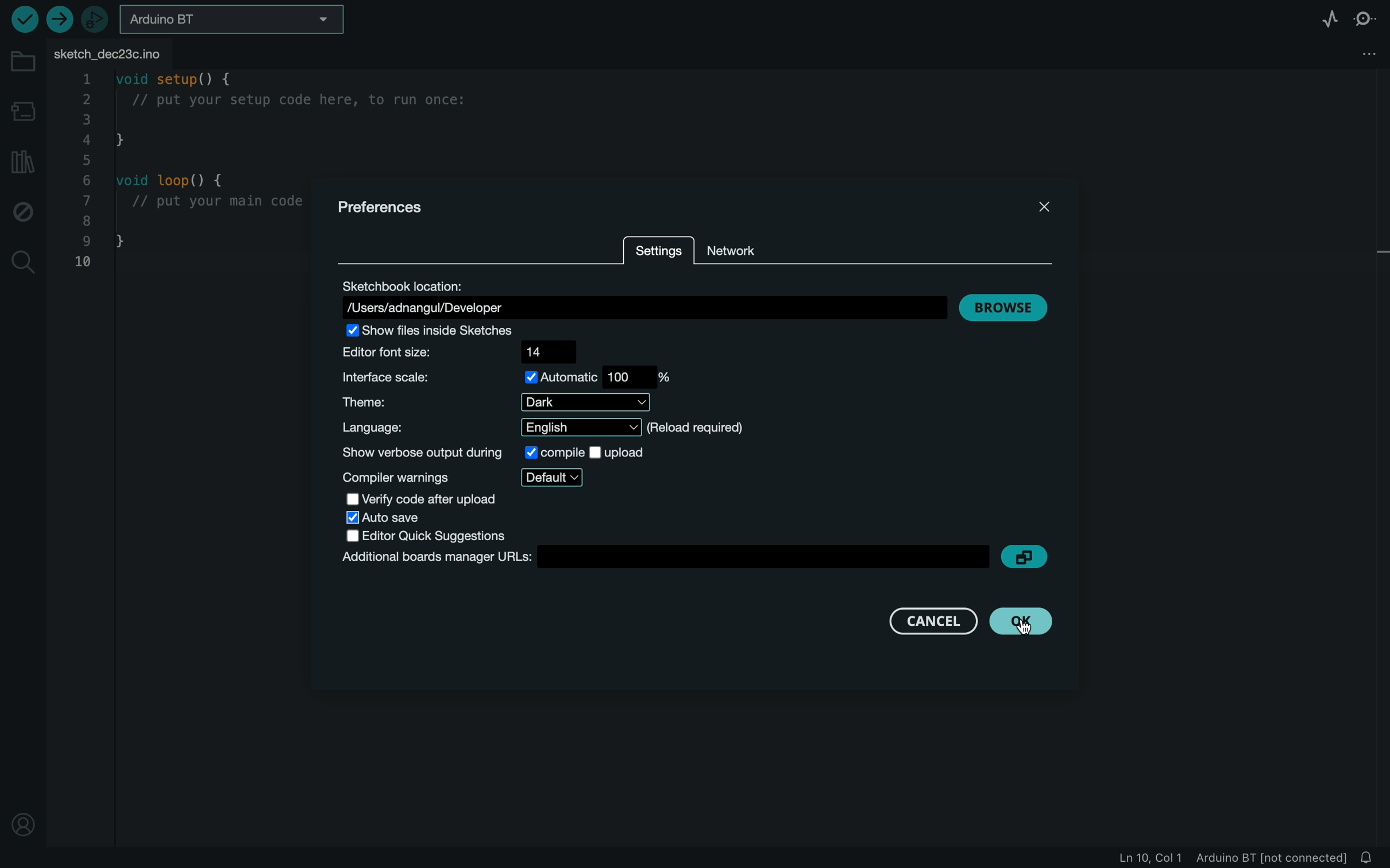 This screenshot has width=1390, height=868. I want to click on debugger, so click(96, 20).